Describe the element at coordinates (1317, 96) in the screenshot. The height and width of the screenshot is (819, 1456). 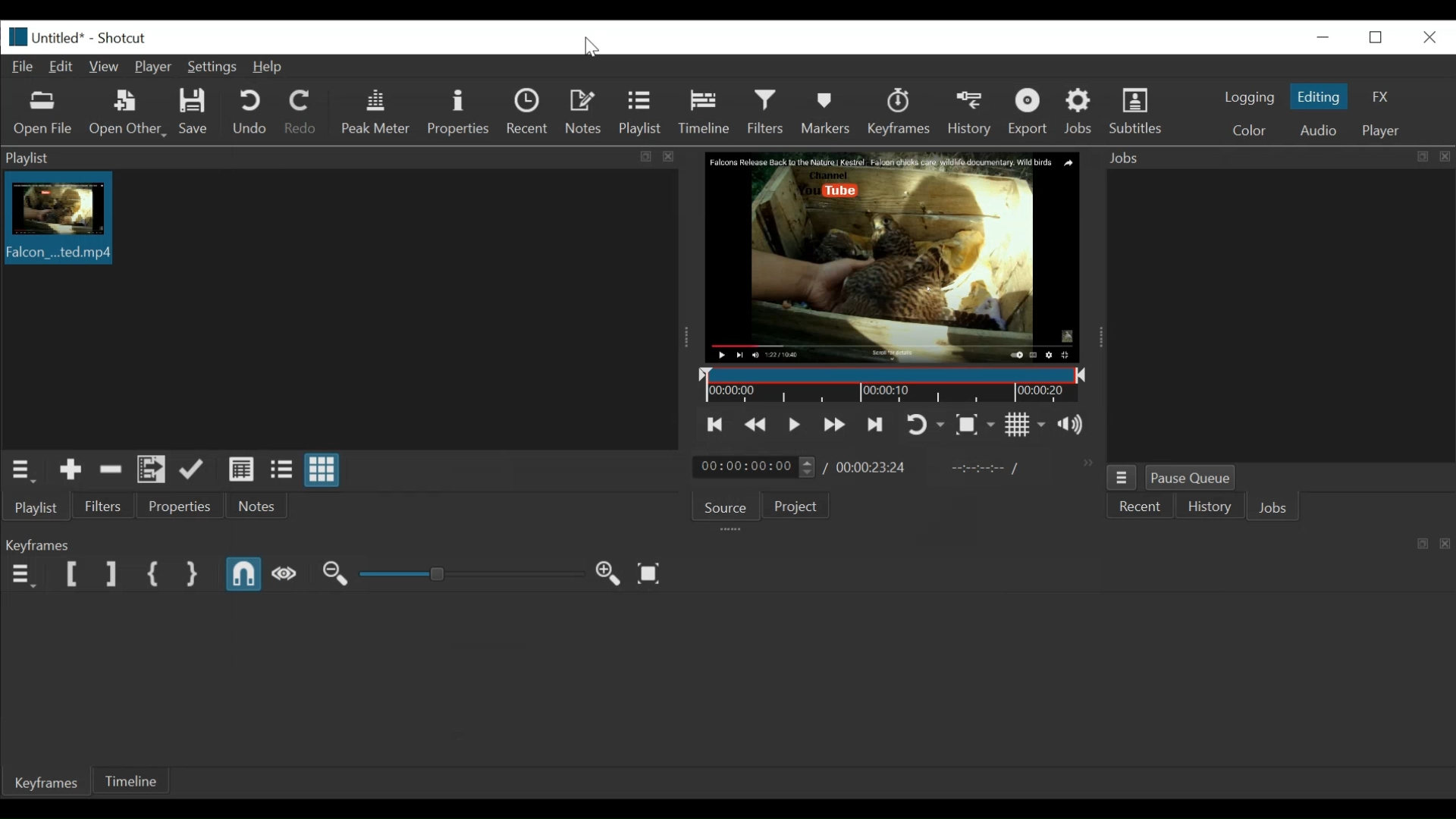
I see `Editing` at that location.